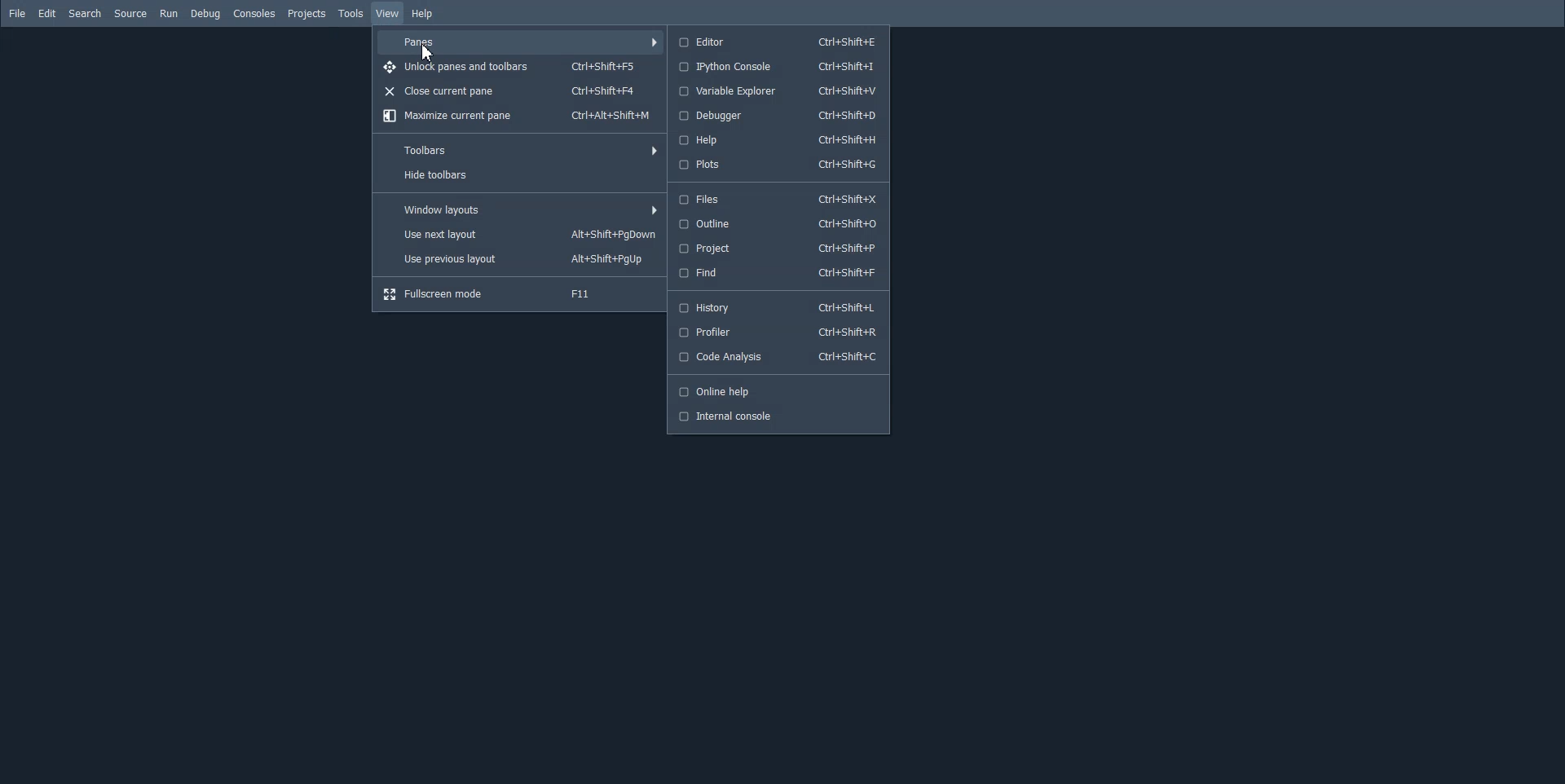  Describe the element at coordinates (521, 174) in the screenshot. I see `Hide toolbars` at that location.